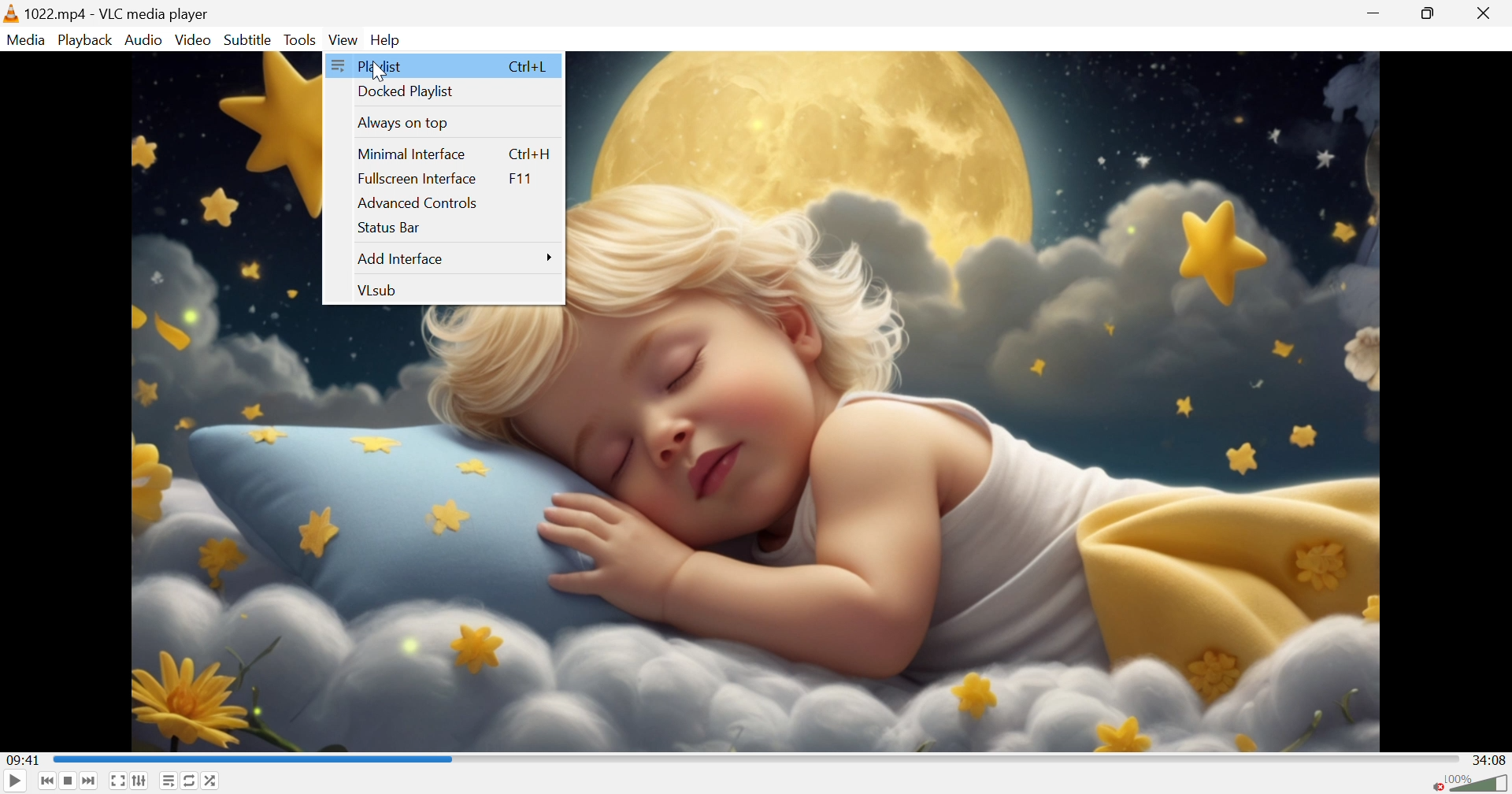 The width and height of the screenshot is (1512, 794). I want to click on Tools, so click(301, 40).